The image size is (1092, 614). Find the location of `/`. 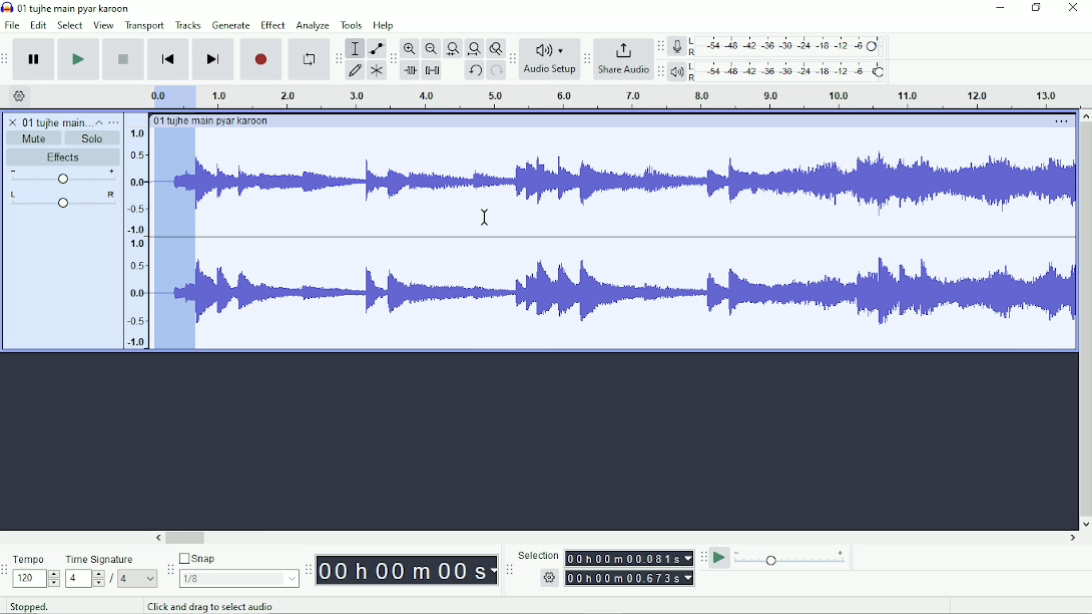

/ is located at coordinates (113, 579).